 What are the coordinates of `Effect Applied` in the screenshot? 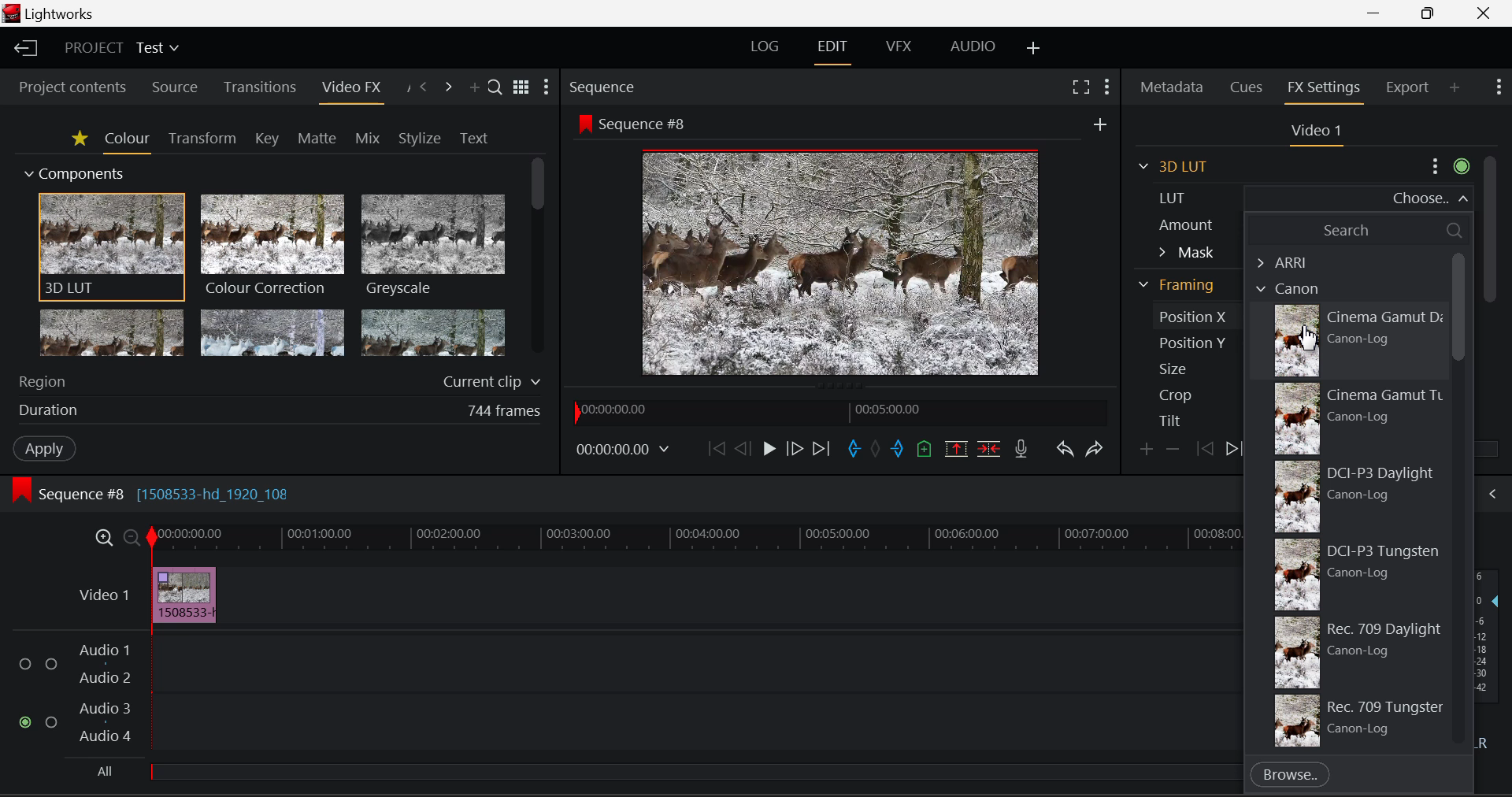 It's located at (188, 594).